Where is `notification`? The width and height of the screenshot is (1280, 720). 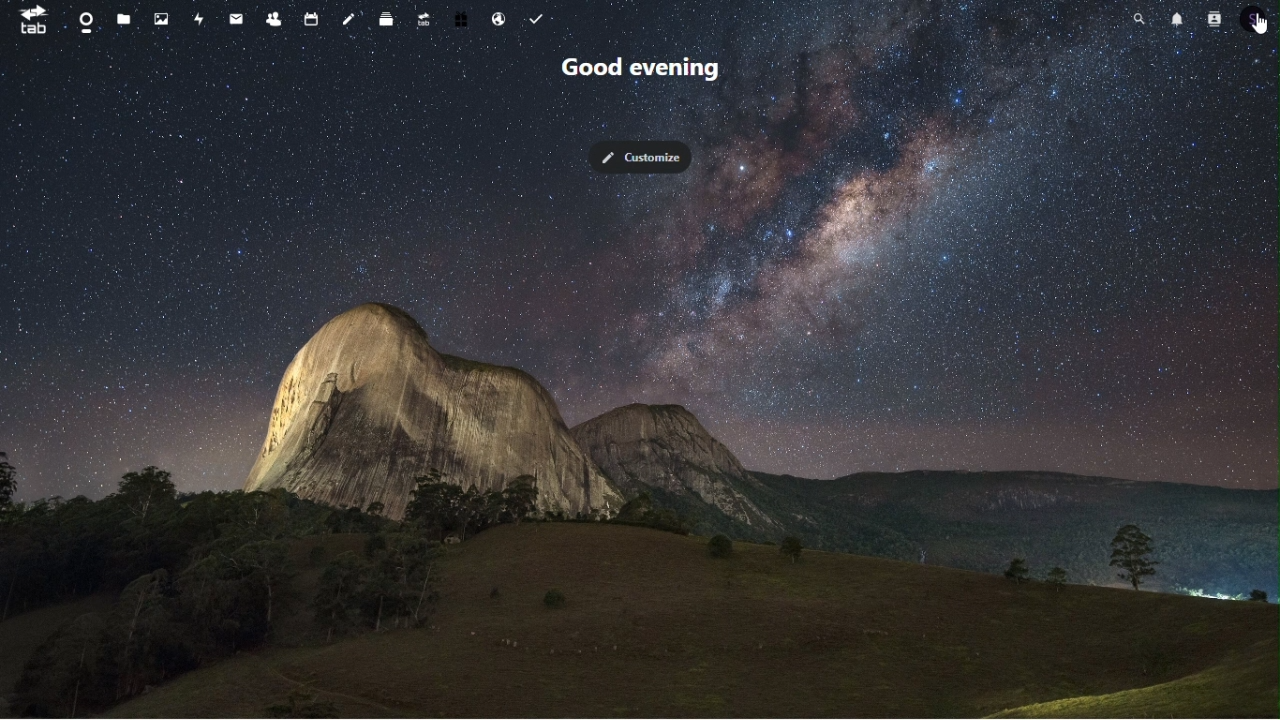 notification is located at coordinates (1178, 18).